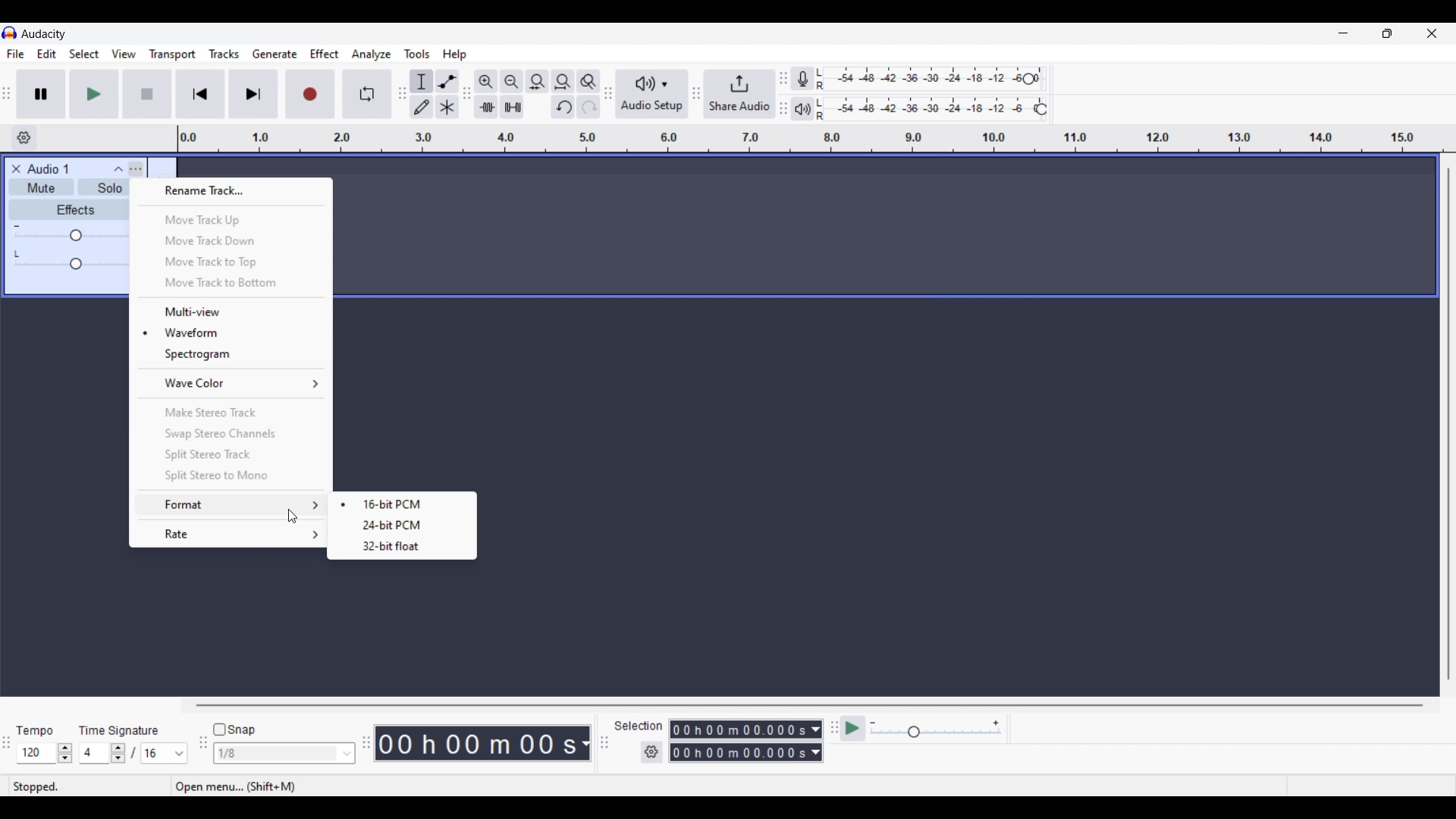  I want to click on More options, so click(127, 168).